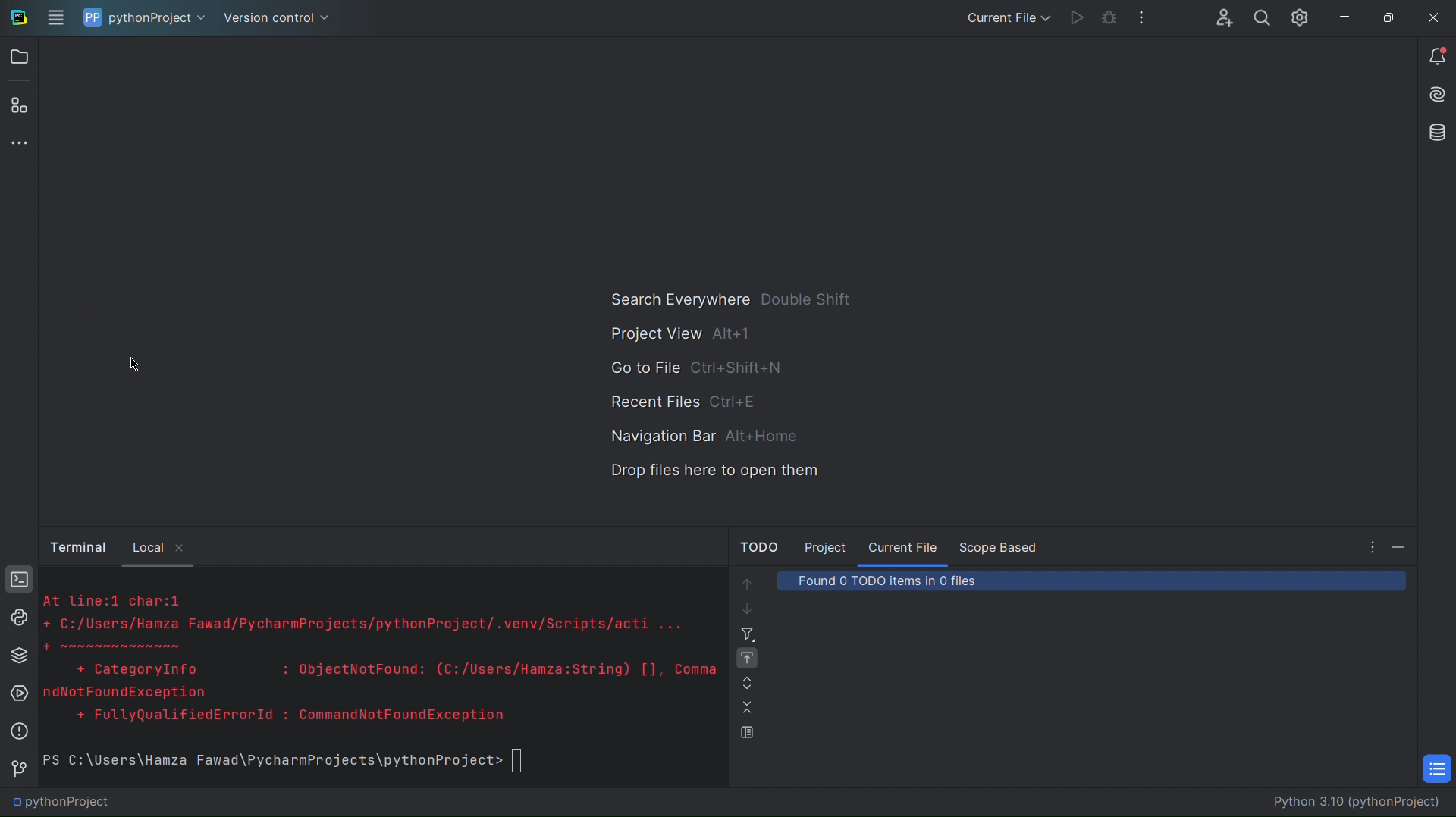 The width and height of the screenshot is (1456, 817). I want to click on Terminal , so click(78, 548).